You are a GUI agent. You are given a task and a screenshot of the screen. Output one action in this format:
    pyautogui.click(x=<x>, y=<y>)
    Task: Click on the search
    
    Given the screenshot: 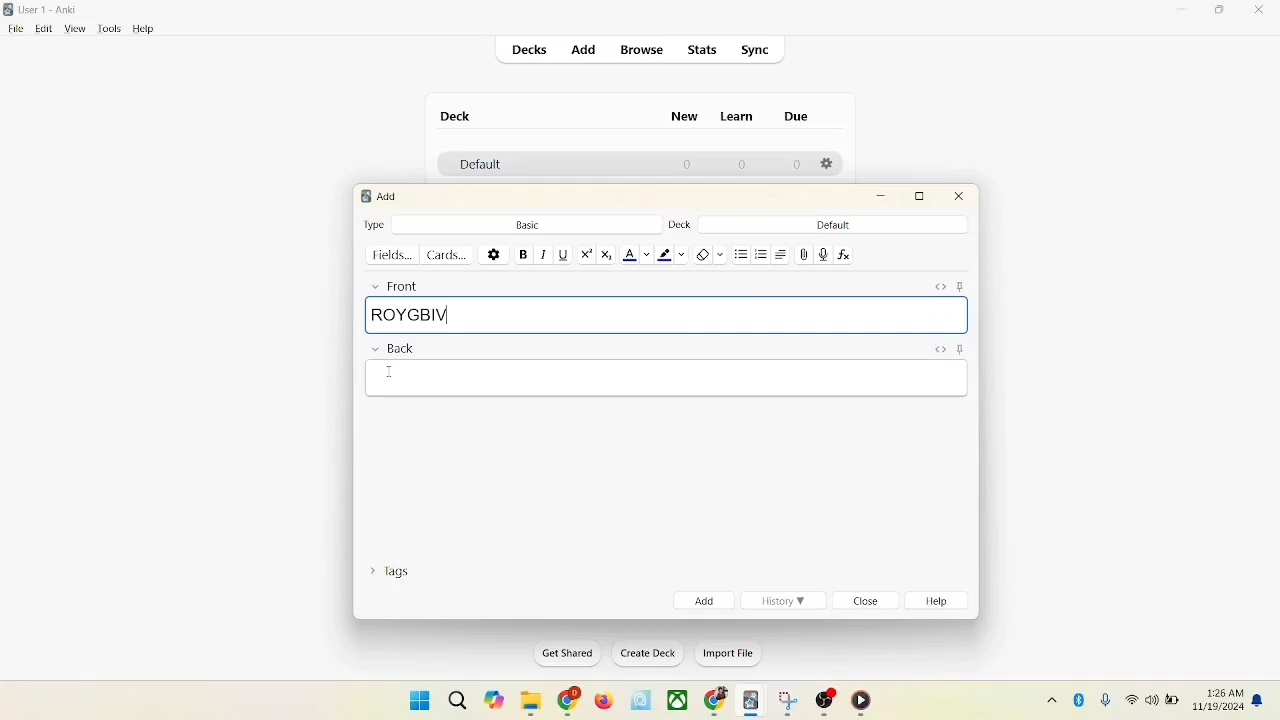 What is the action you would take?
    pyautogui.click(x=456, y=696)
    